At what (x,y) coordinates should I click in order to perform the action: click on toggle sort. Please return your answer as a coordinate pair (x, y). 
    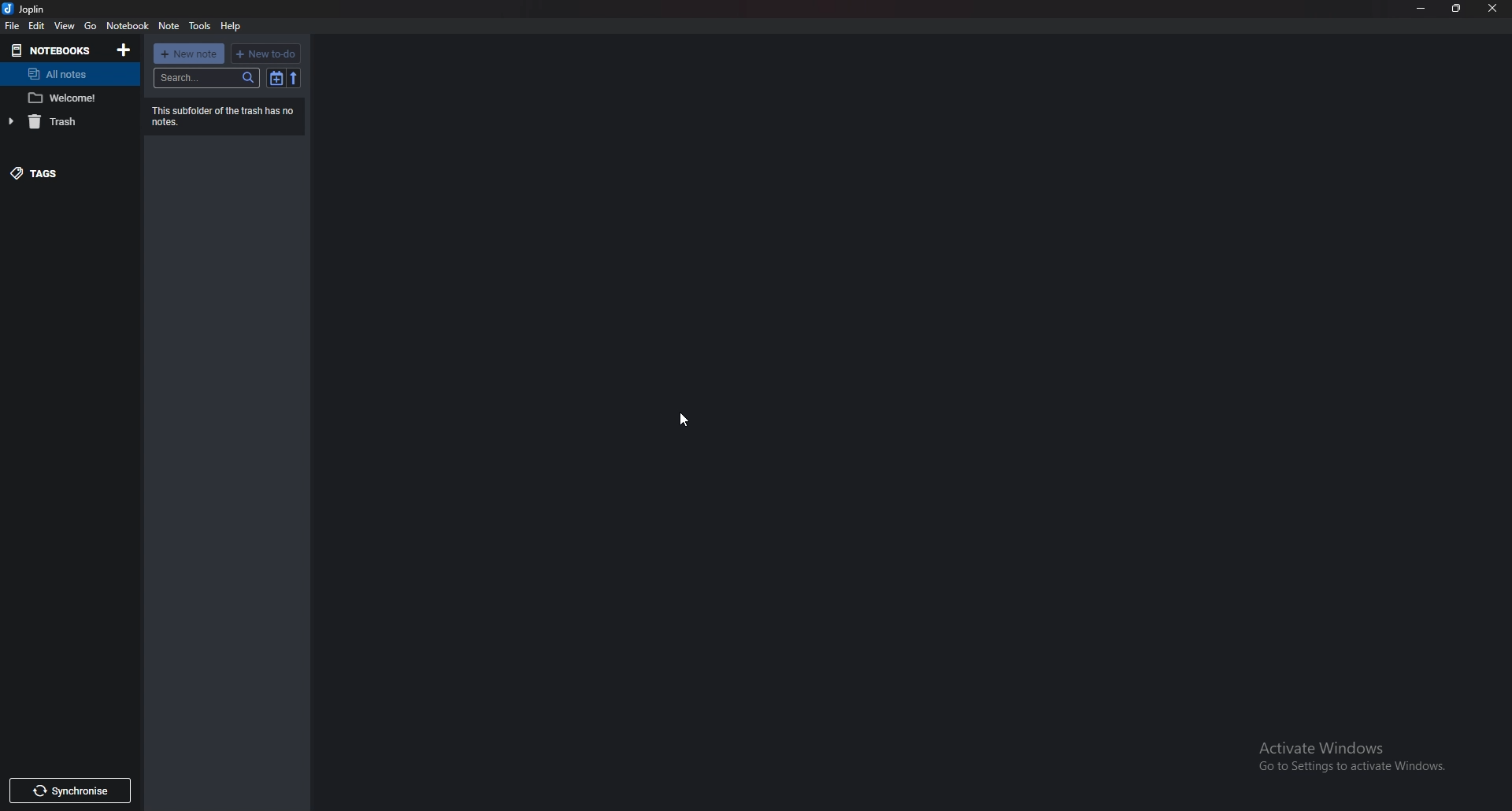
    Looking at the image, I should click on (276, 77).